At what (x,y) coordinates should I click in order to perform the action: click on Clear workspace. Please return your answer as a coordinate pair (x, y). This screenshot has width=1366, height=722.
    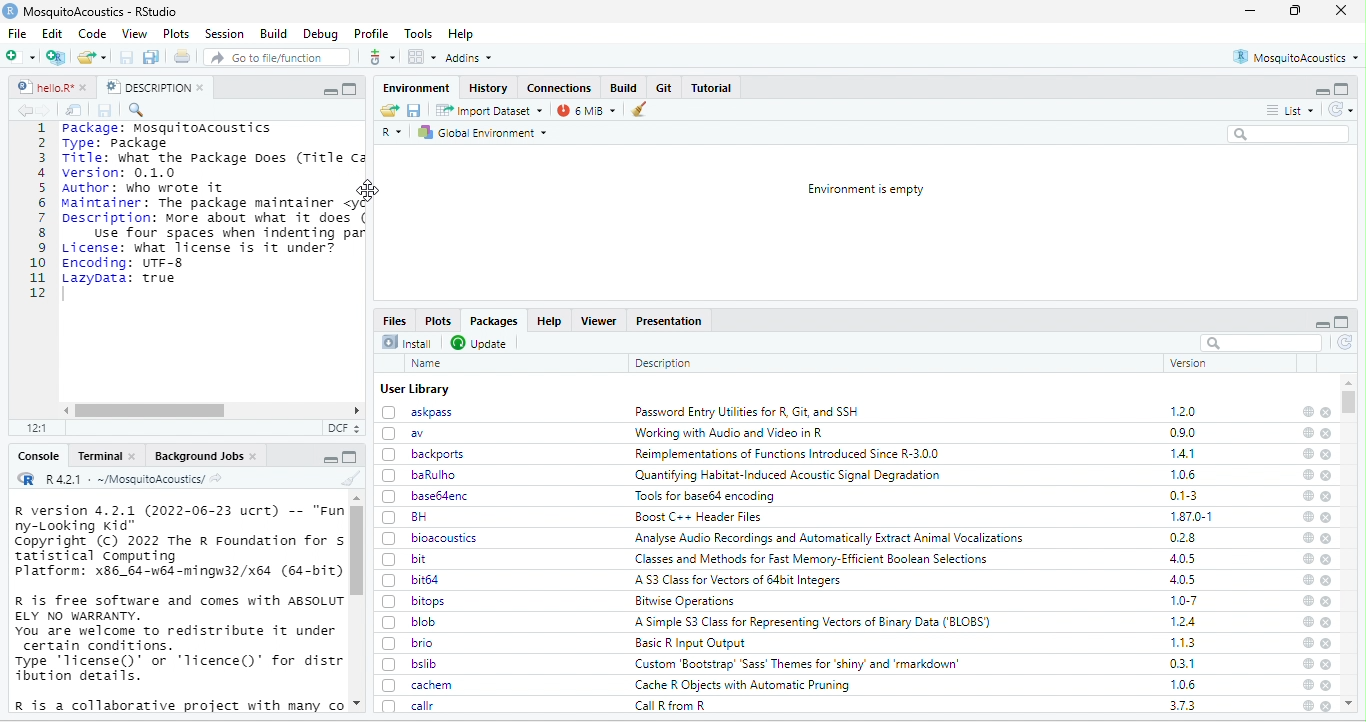
    Looking at the image, I should click on (641, 109).